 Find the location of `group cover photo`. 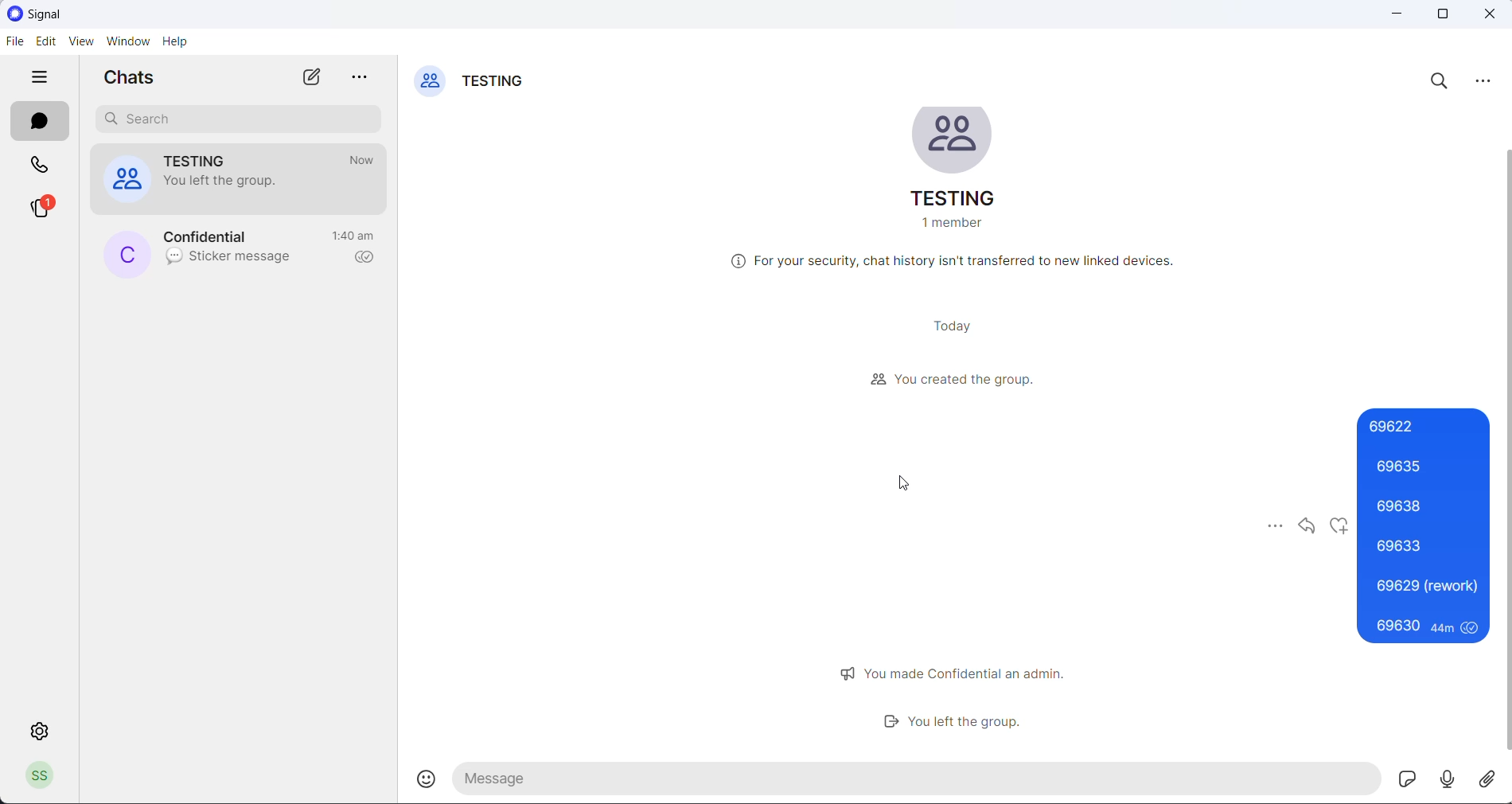

group cover photo is located at coordinates (430, 84).